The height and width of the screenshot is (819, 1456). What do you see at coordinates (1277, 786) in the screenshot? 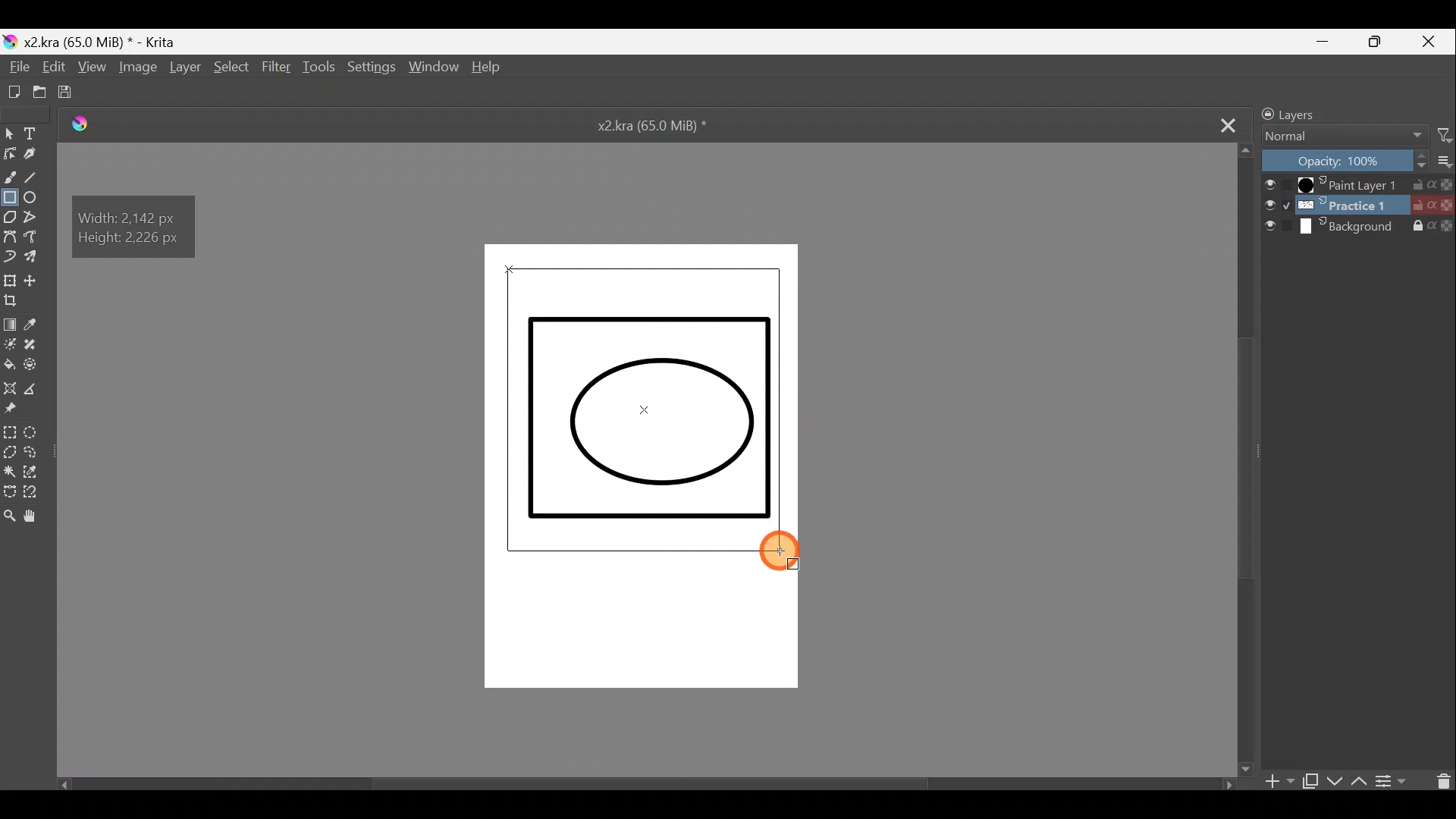
I see `Add layer` at bounding box center [1277, 786].